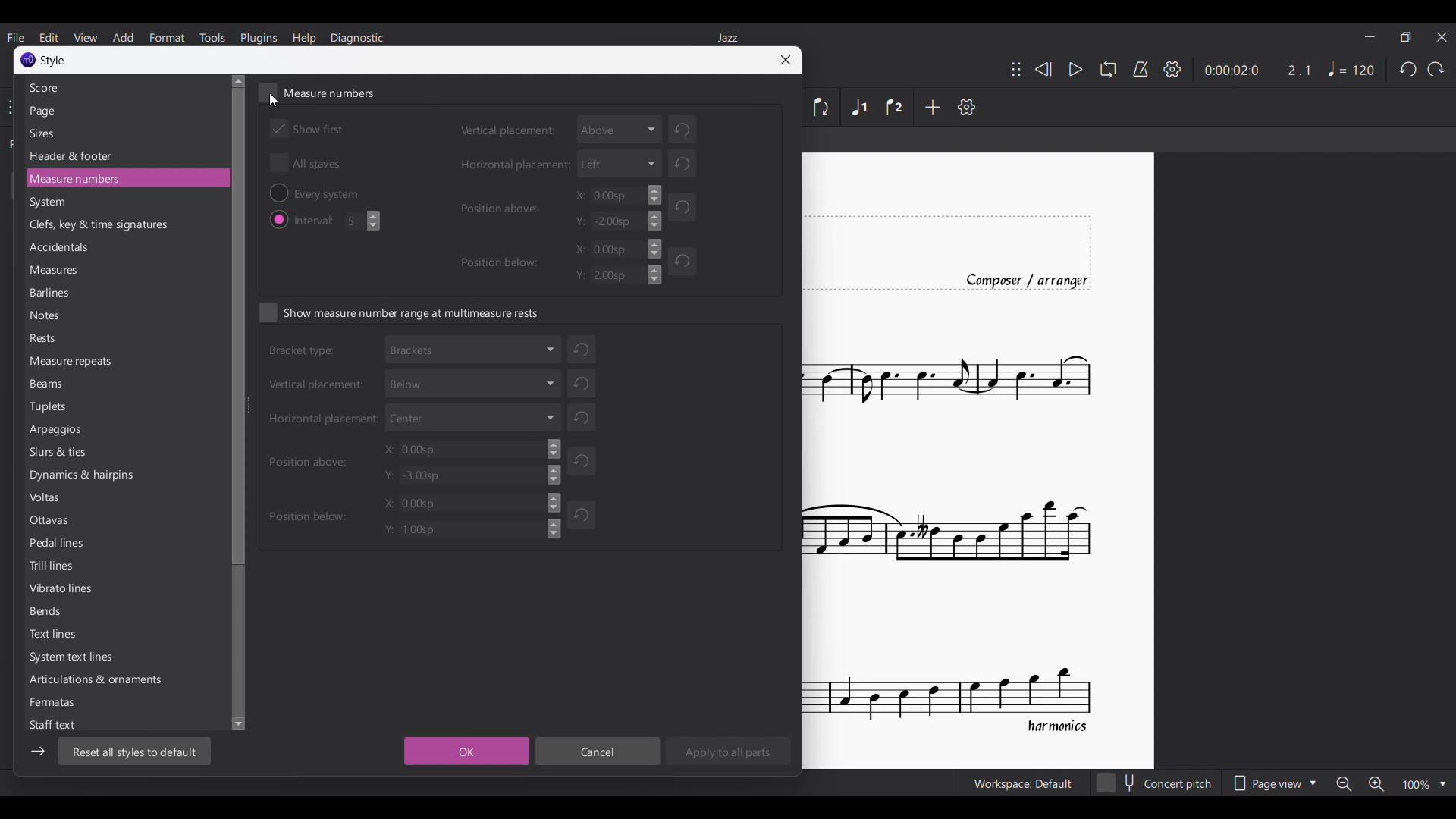 This screenshot has width=1456, height=819. Describe the element at coordinates (123, 38) in the screenshot. I see `Add menu` at that location.